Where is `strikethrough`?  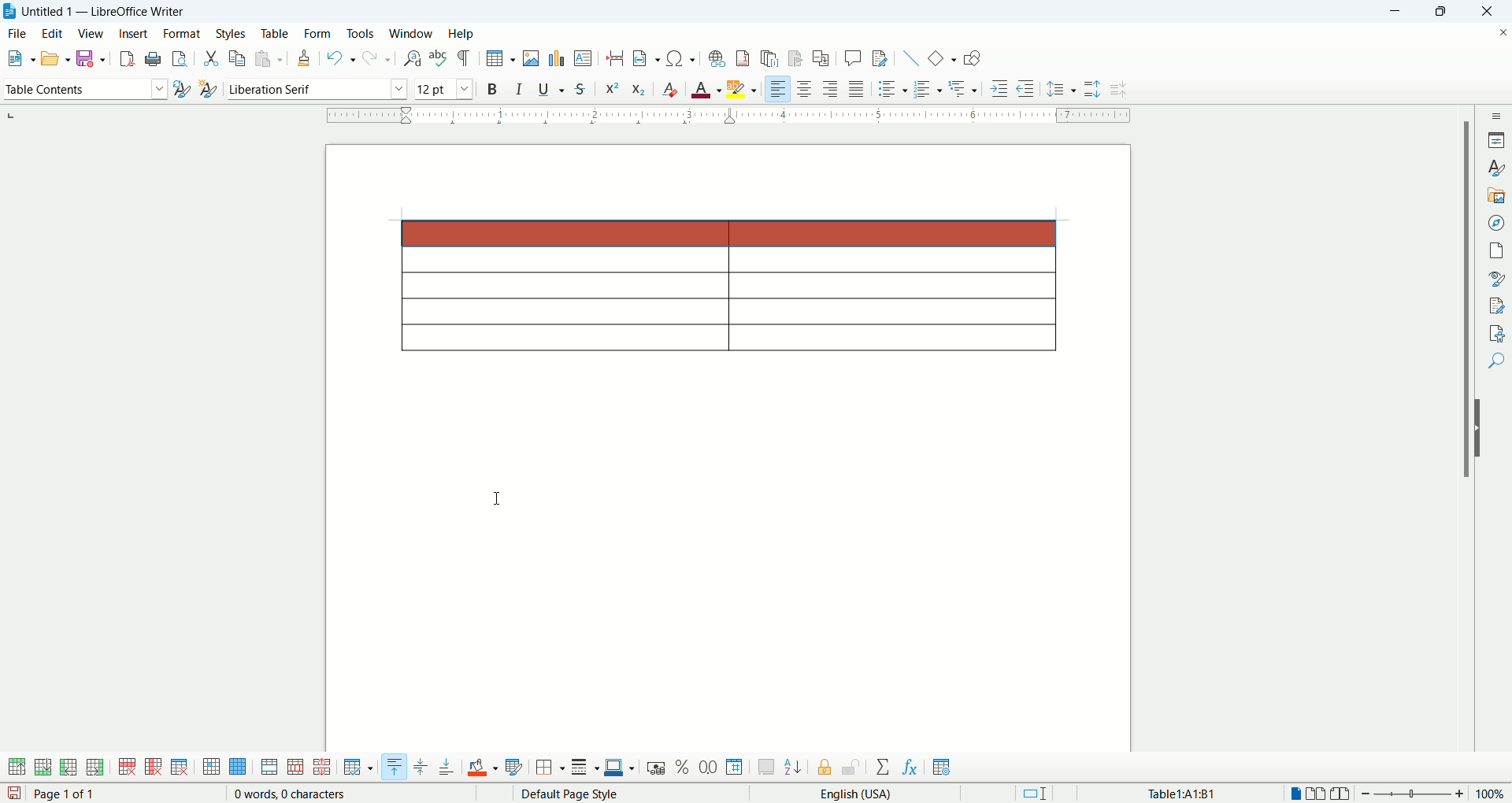
strikethrough is located at coordinates (580, 88).